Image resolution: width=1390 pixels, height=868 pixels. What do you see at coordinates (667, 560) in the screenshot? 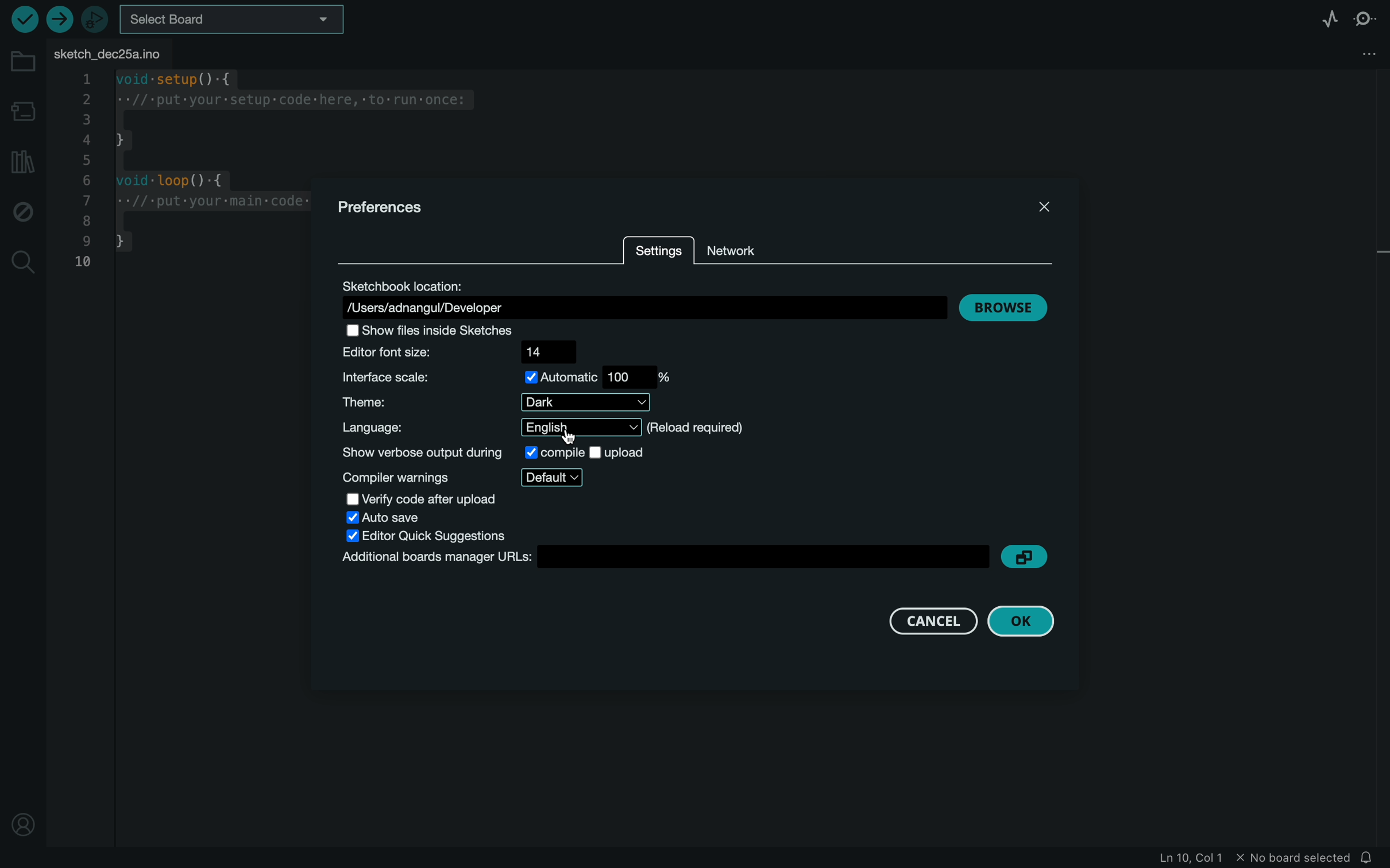
I see `boards  manager` at bounding box center [667, 560].